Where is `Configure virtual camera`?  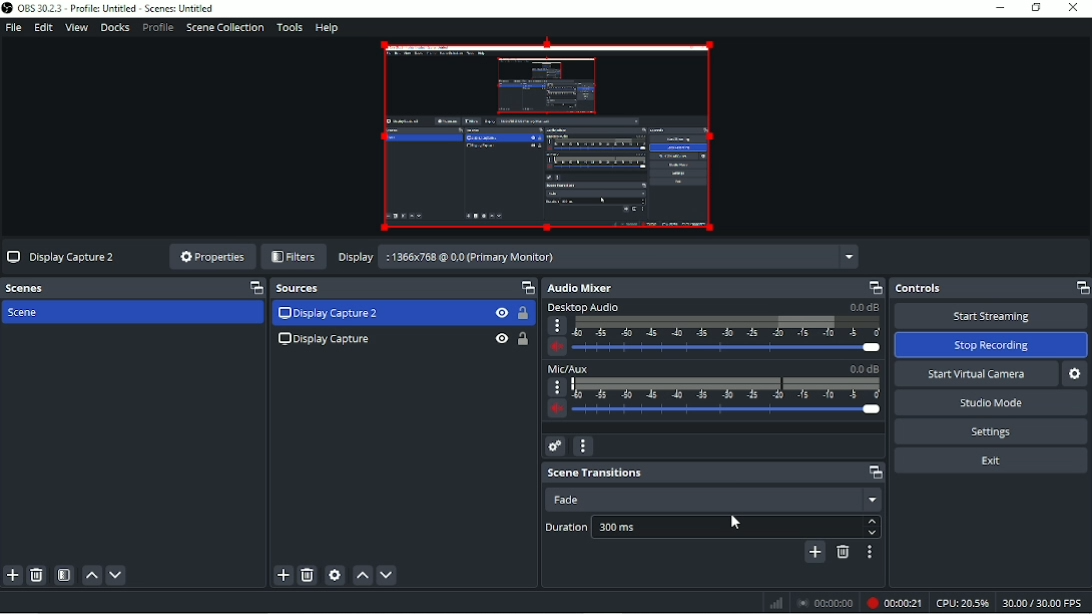
Configure virtual camera is located at coordinates (1075, 374).